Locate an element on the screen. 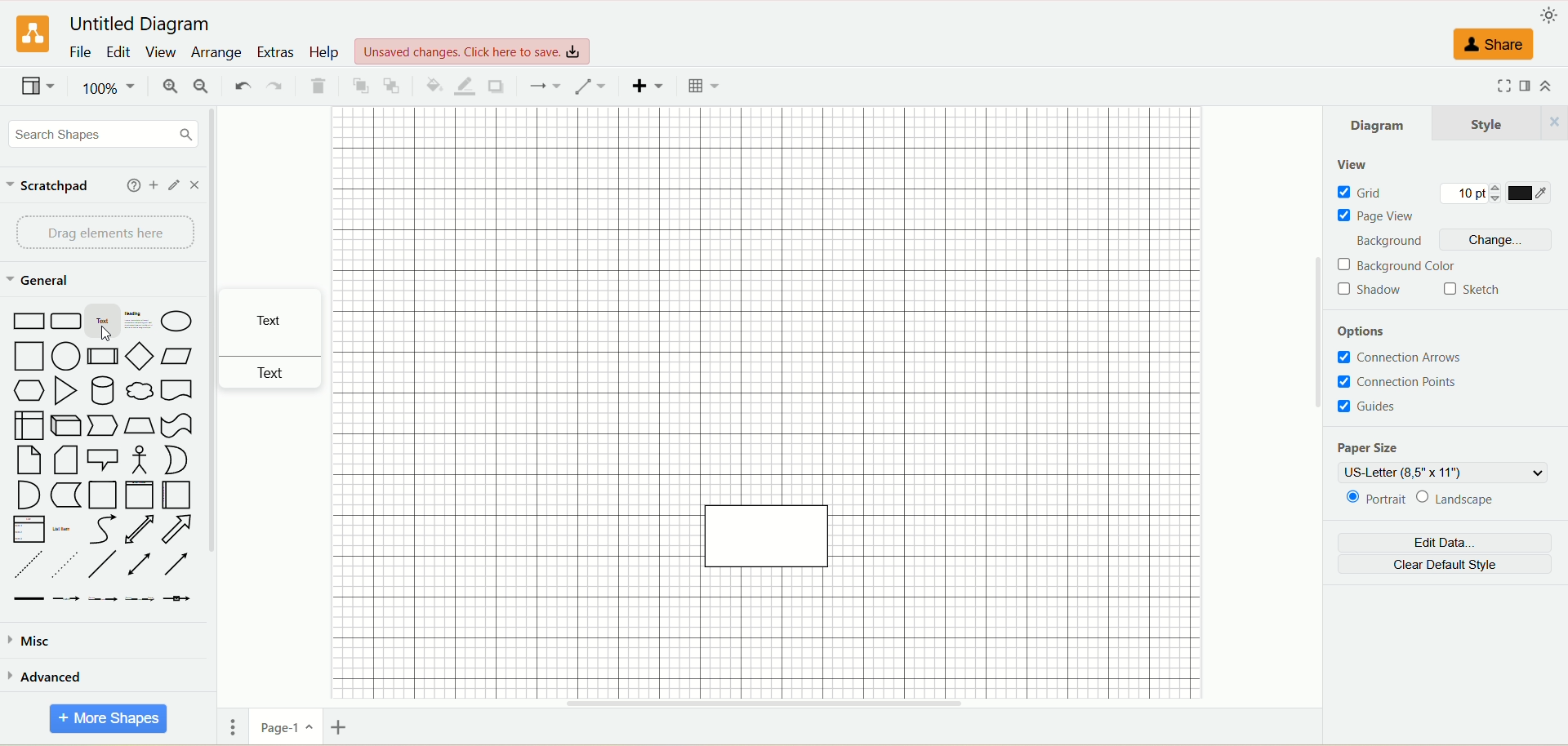 This screenshot has width=1568, height=746. background color is located at coordinates (1397, 268).